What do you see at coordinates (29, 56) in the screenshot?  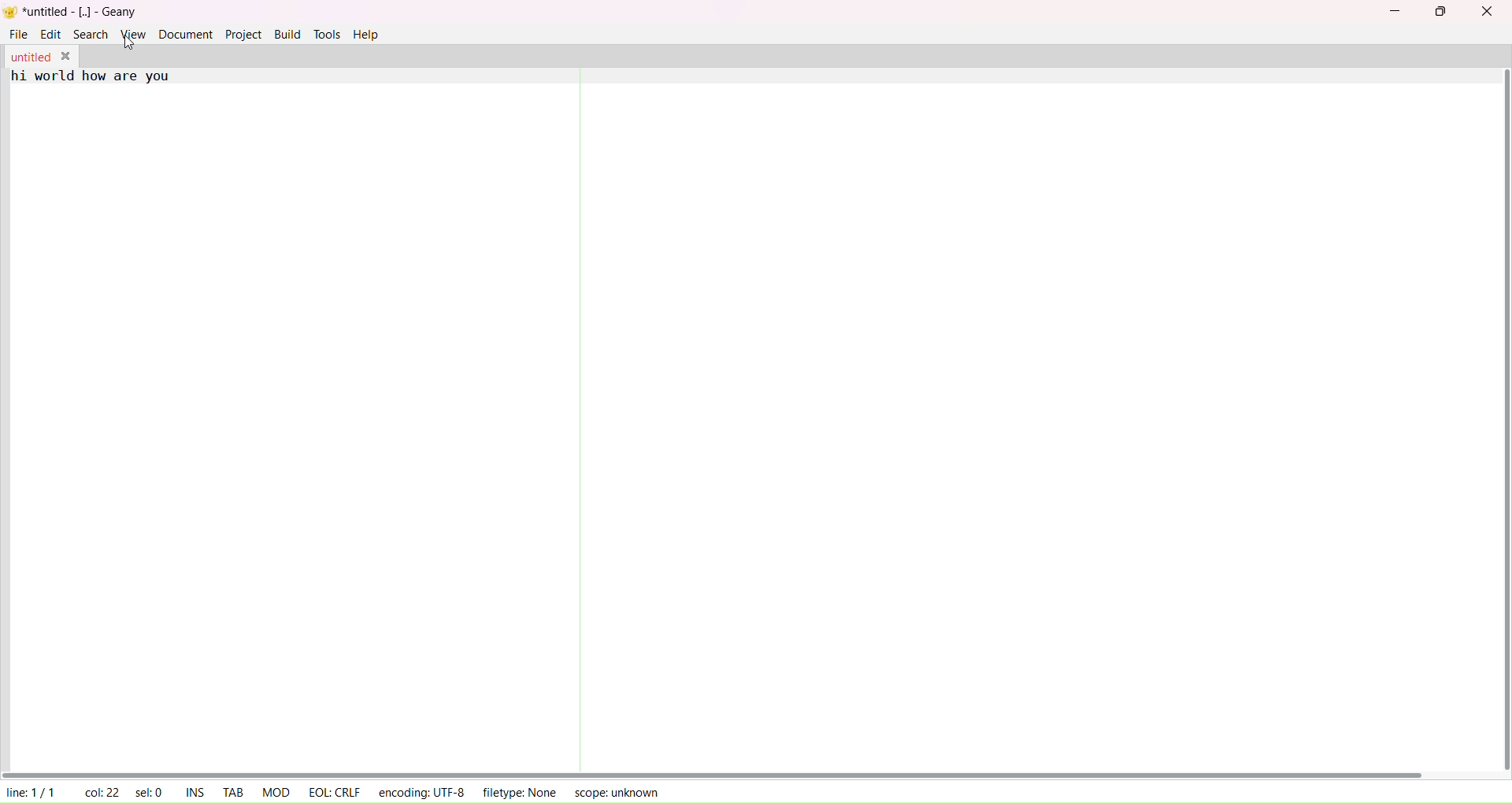 I see `tab name` at bounding box center [29, 56].